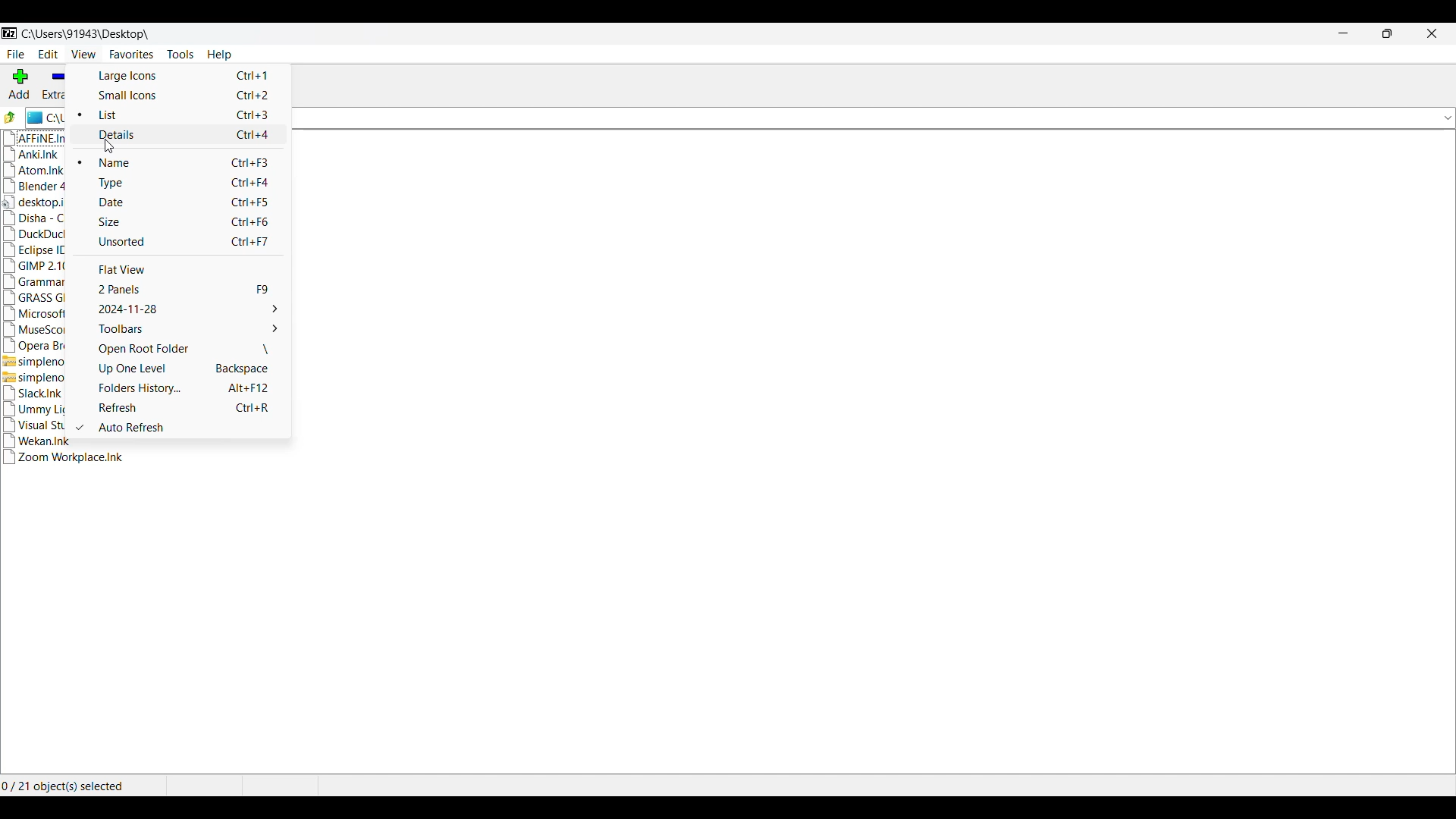  What do you see at coordinates (115, 146) in the screenshot?
I see `cursor` at bounding box center [115, 146].